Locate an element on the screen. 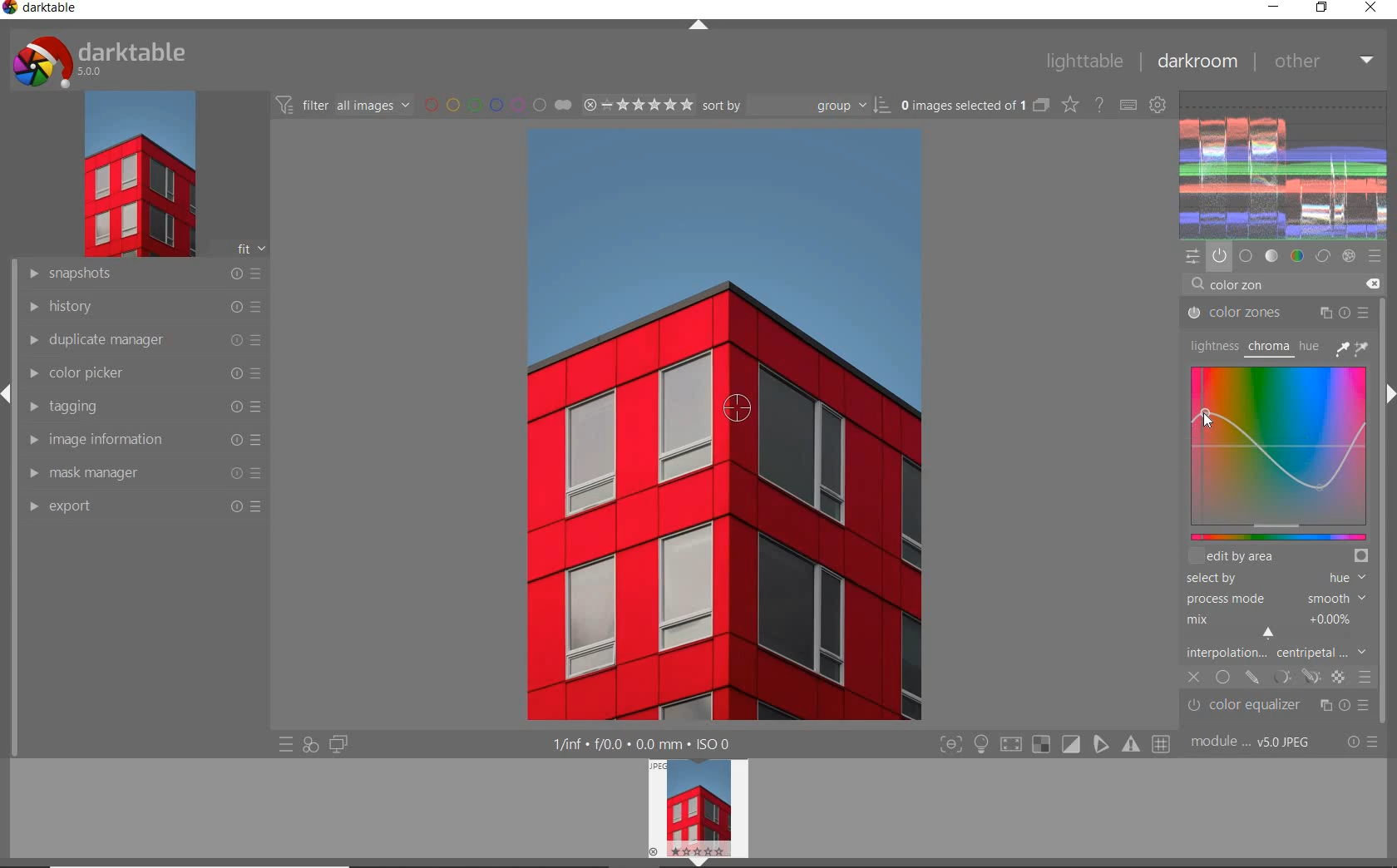 The image size is (1397, 868). LIGHTNESS is located at coordinates (1212, 345).